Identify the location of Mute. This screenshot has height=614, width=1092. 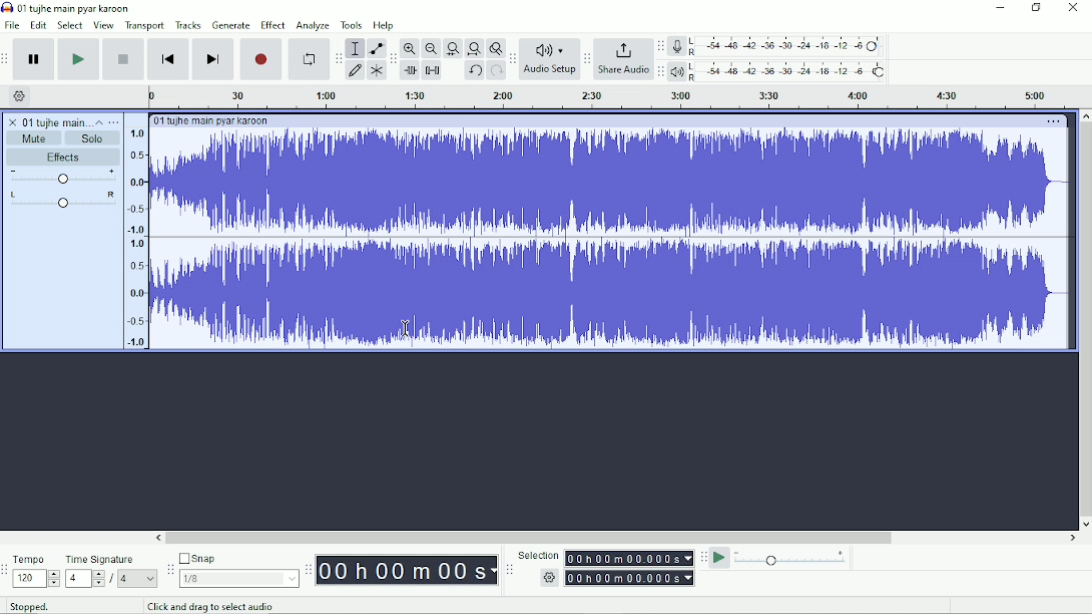
(33, 139).